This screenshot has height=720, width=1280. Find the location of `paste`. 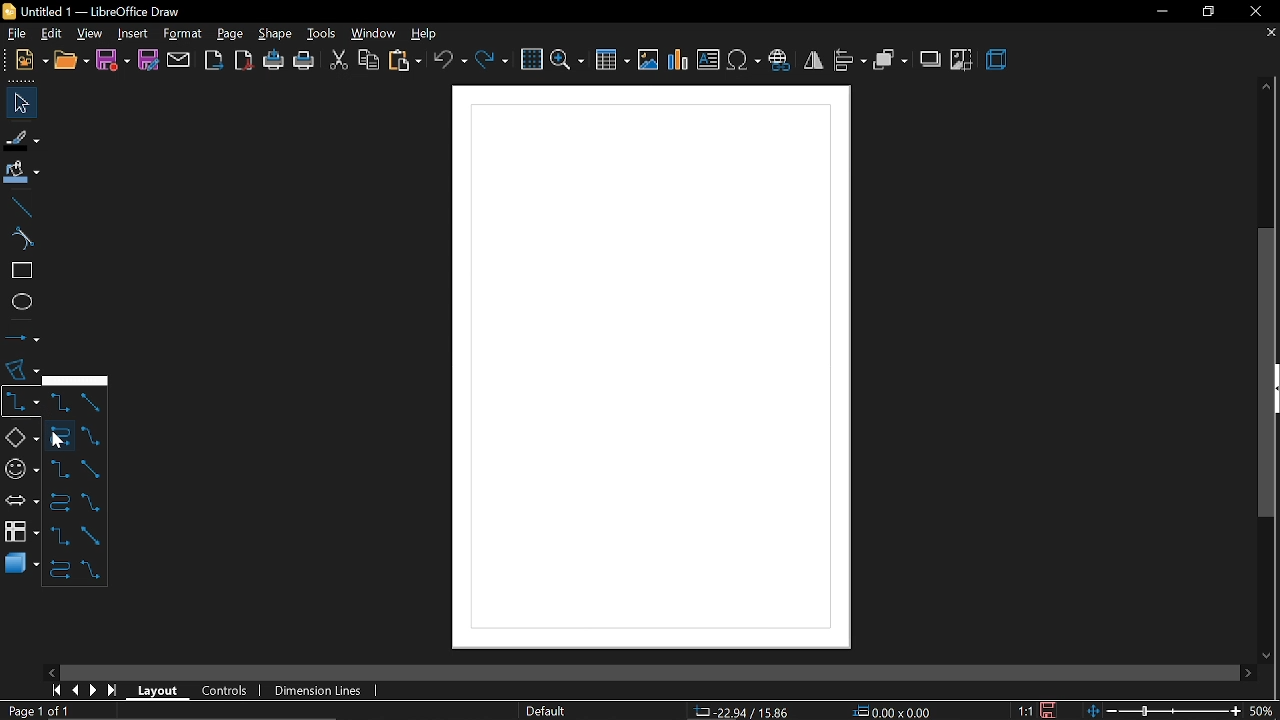

paste is located at coordinates (404, 61).